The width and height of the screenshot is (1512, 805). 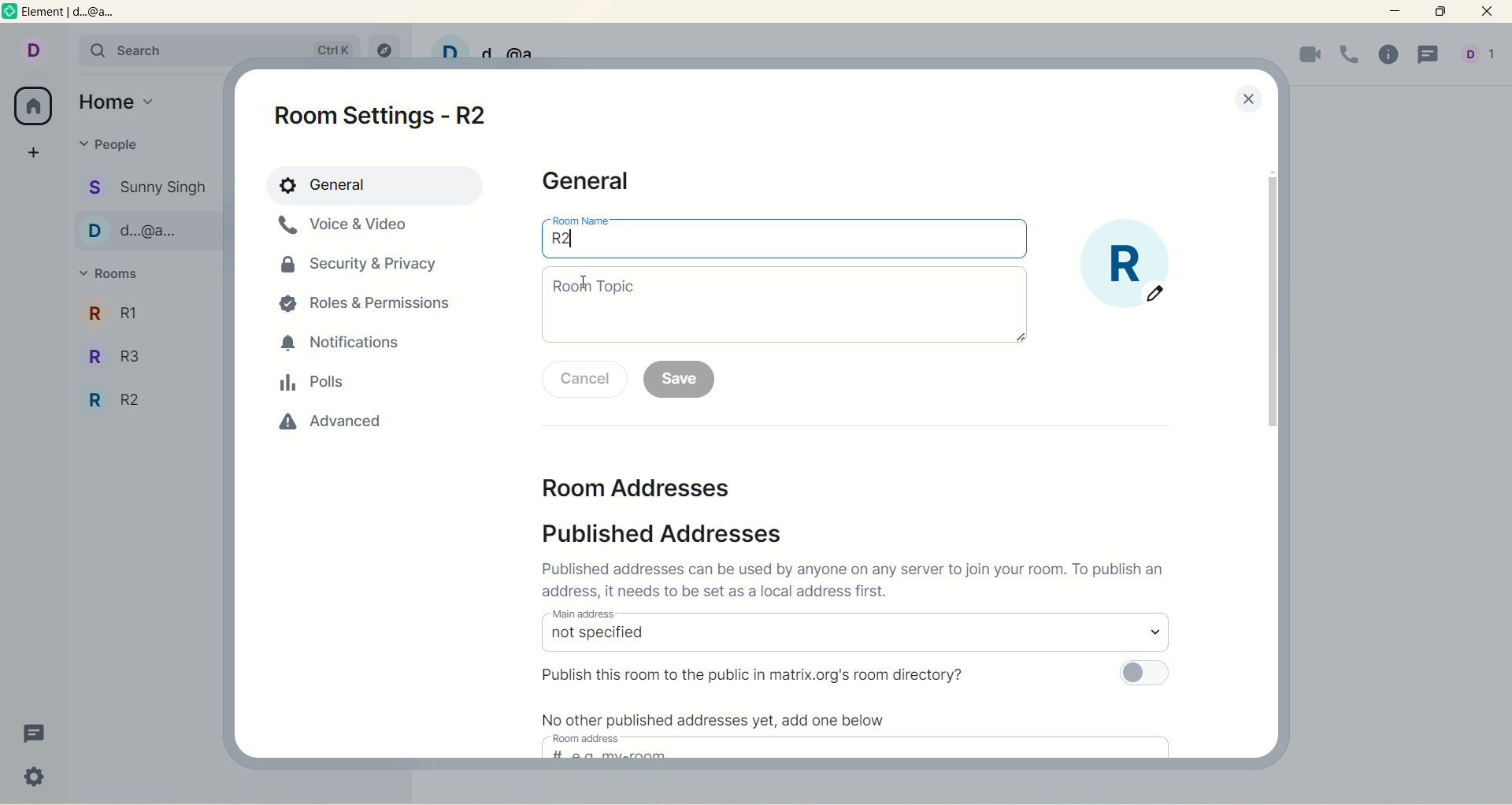 I want to click on publish room to public, so click(x=758, y=673).